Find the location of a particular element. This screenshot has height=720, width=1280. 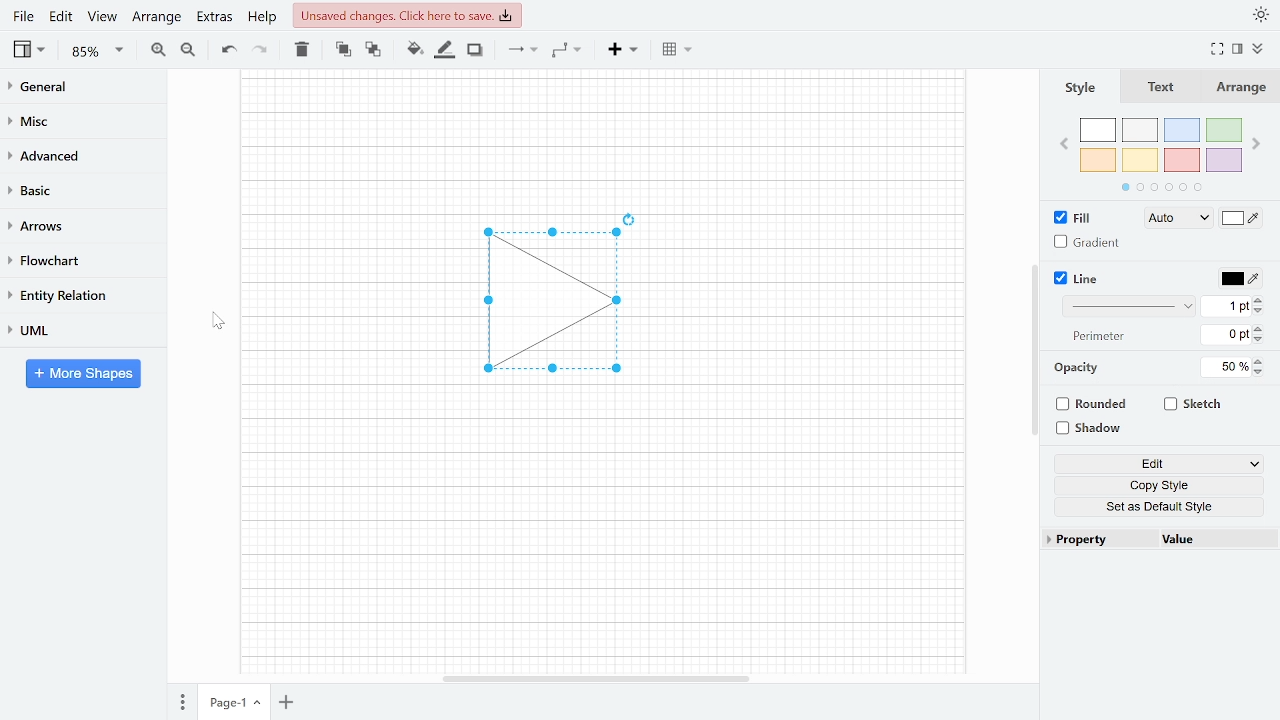

blue is located at coordinates (1184, 130).